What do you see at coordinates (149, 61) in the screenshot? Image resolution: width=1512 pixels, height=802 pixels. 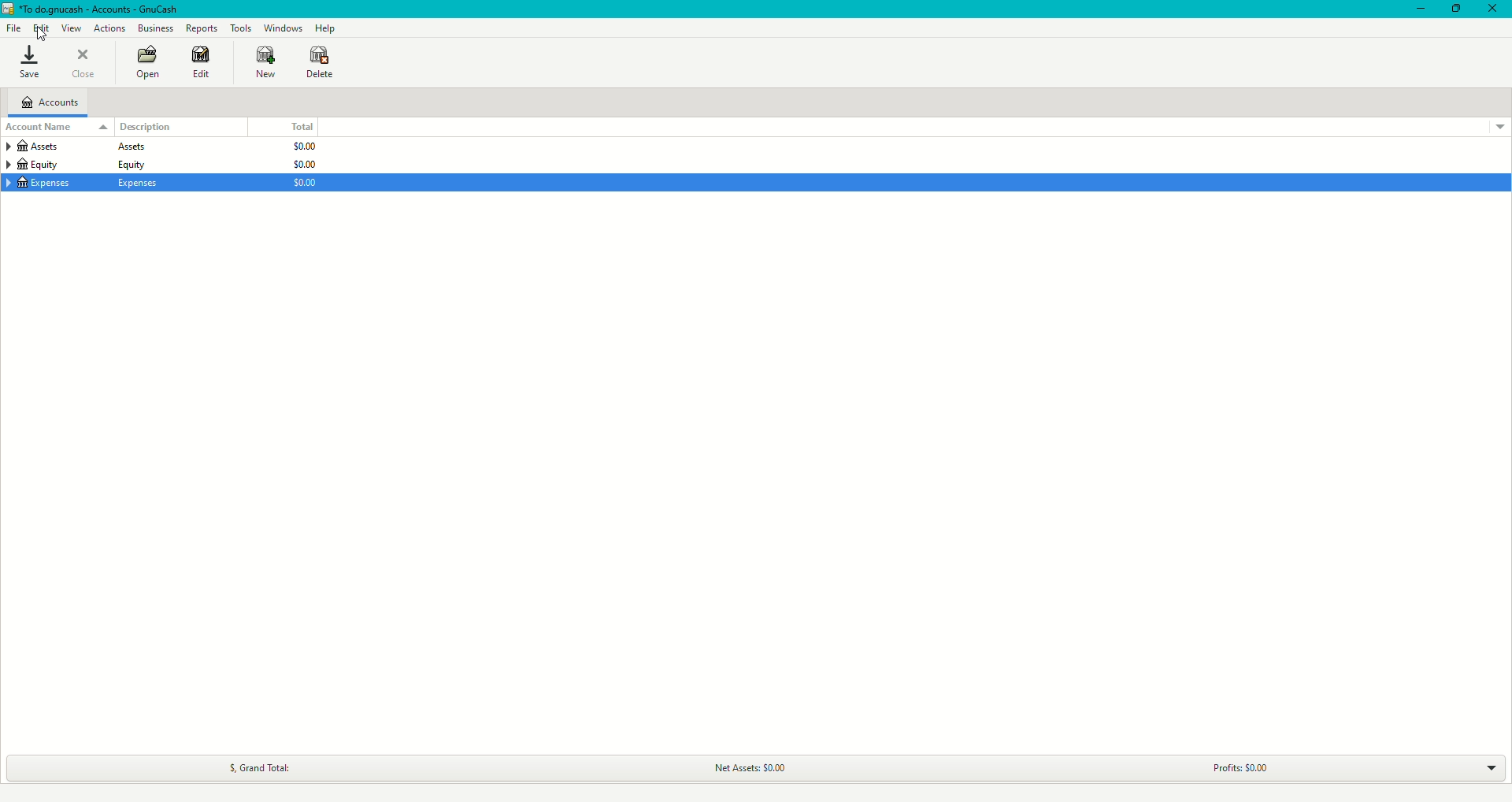 I see `Open` at bounding box center [149, 61].